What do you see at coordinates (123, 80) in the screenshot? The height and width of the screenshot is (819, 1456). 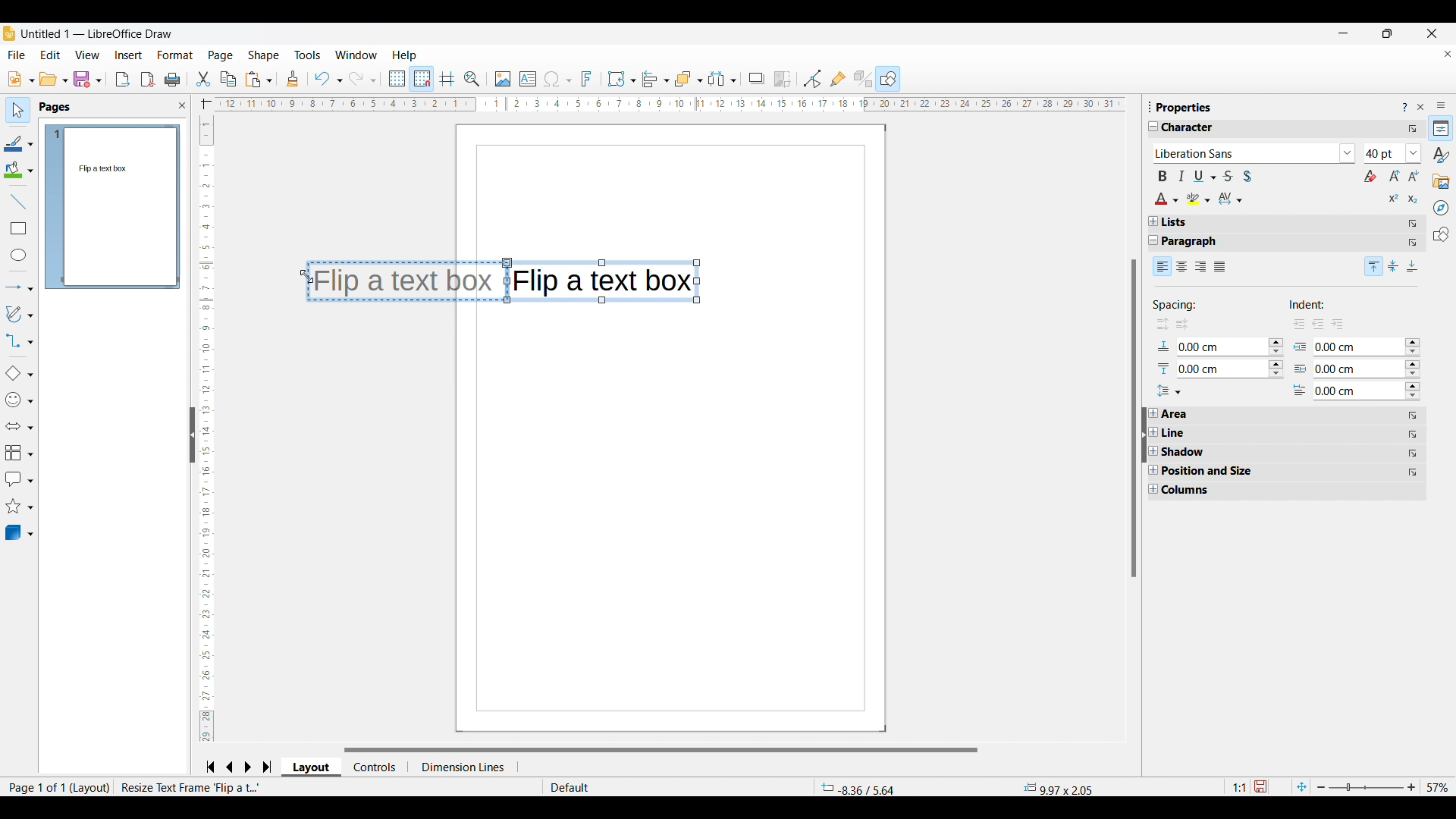 I see `Export` at bounding box center [123, 80].